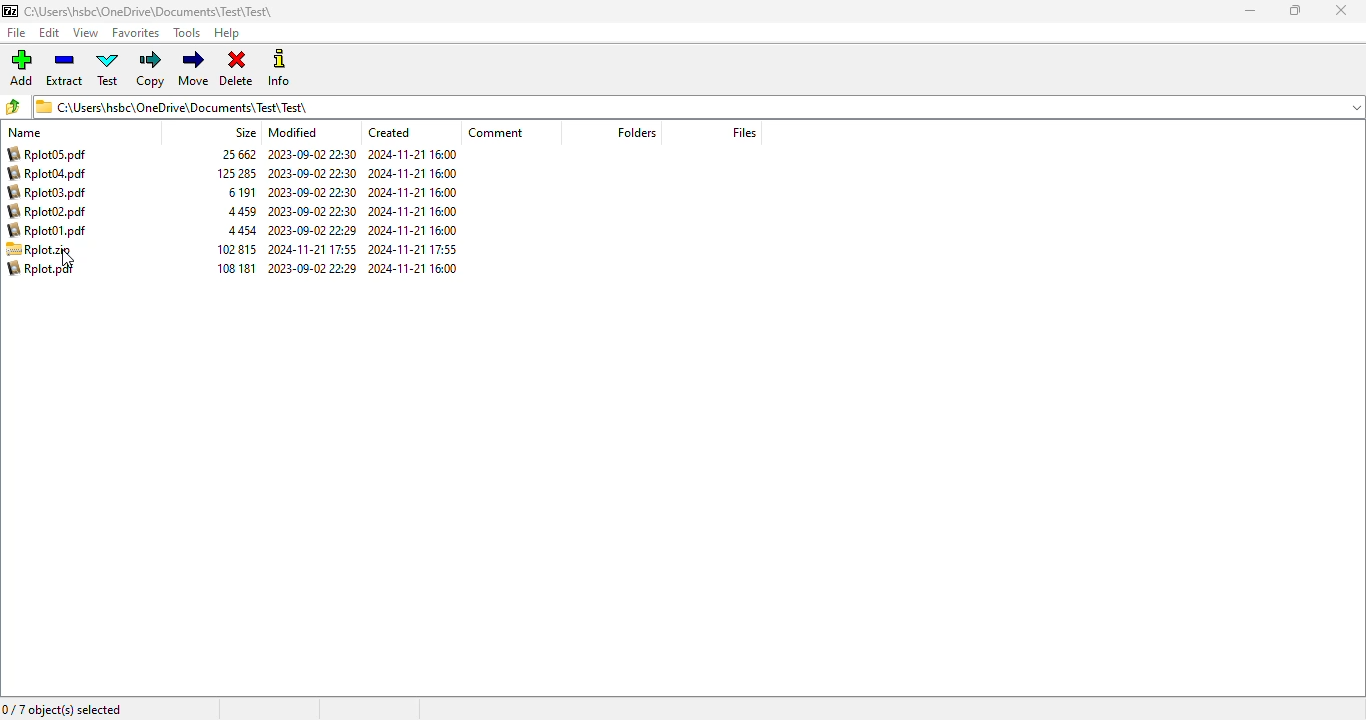 Image resolution: width=1366 pixels, height=720 pixels. Describe the element at coordinates (237, 173) in the screenshot. I see `125 285` at that location.